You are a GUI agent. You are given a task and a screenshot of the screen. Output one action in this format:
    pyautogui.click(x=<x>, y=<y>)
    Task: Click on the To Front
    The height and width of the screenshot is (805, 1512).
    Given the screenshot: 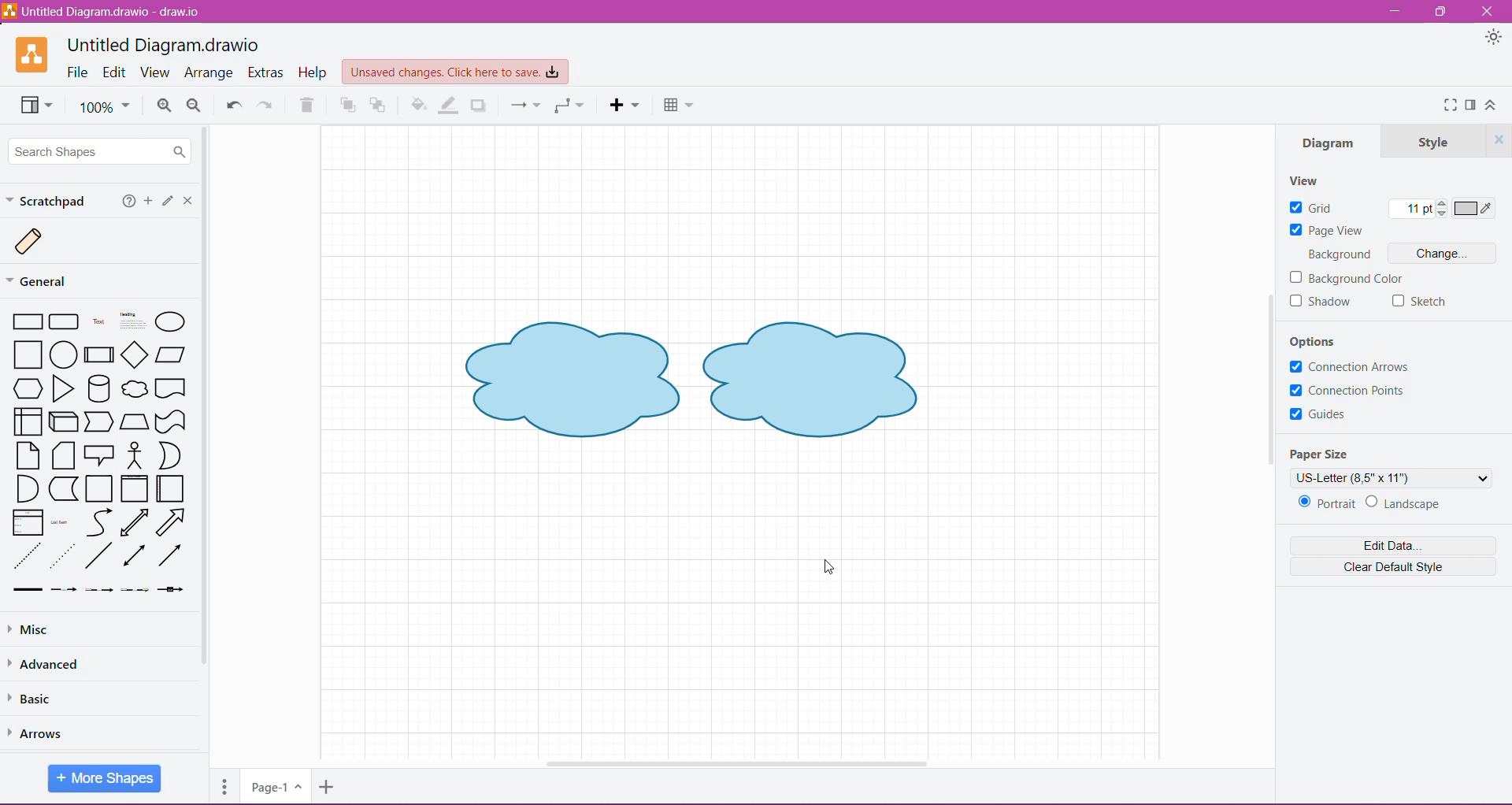 What is the action you would take?
    pyautogui.click(x=350, y=106)
    